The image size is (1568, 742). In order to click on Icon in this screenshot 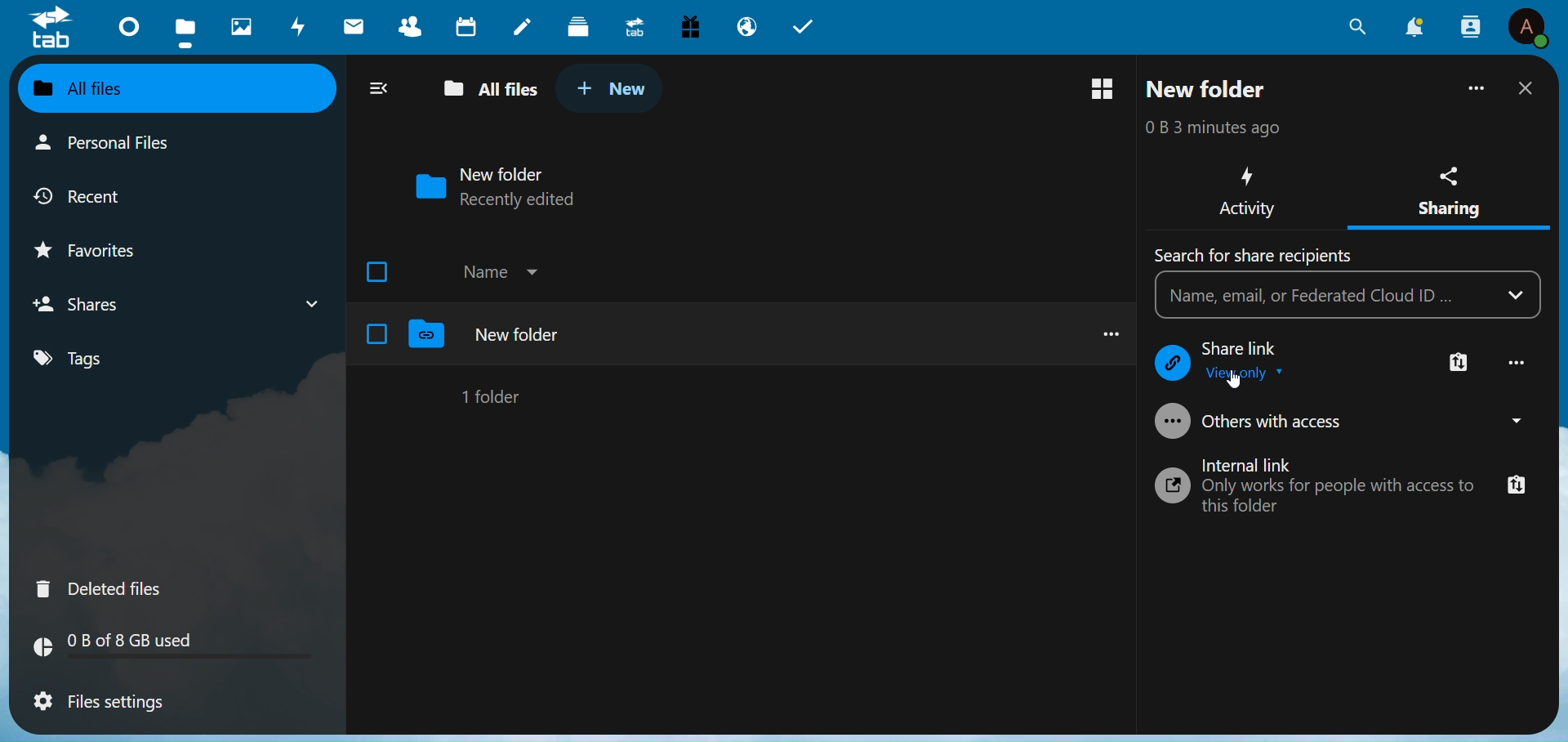, I will do `click(1169, 422)`.